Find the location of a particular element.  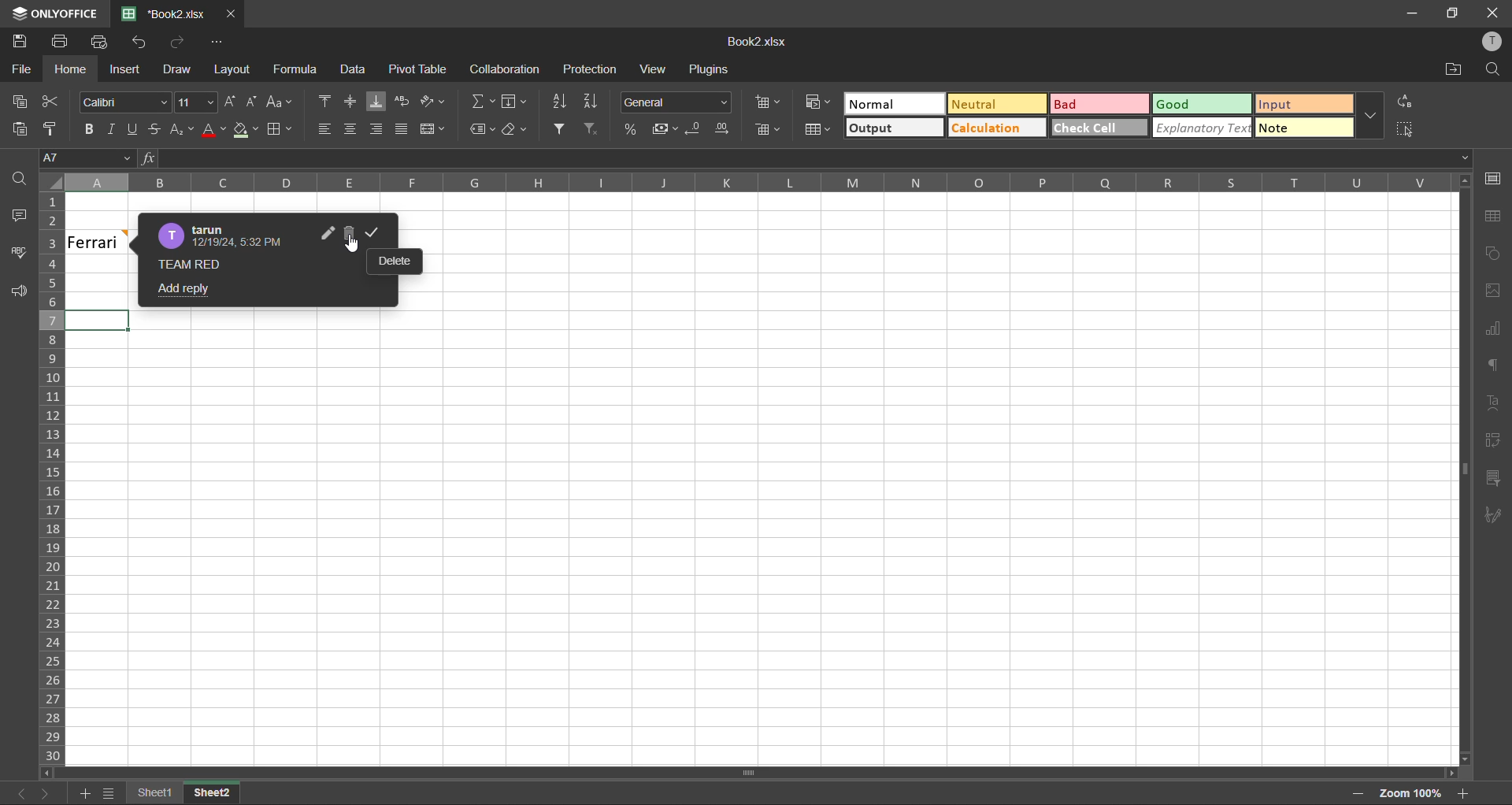

paste is located at coordinates (20, 131).